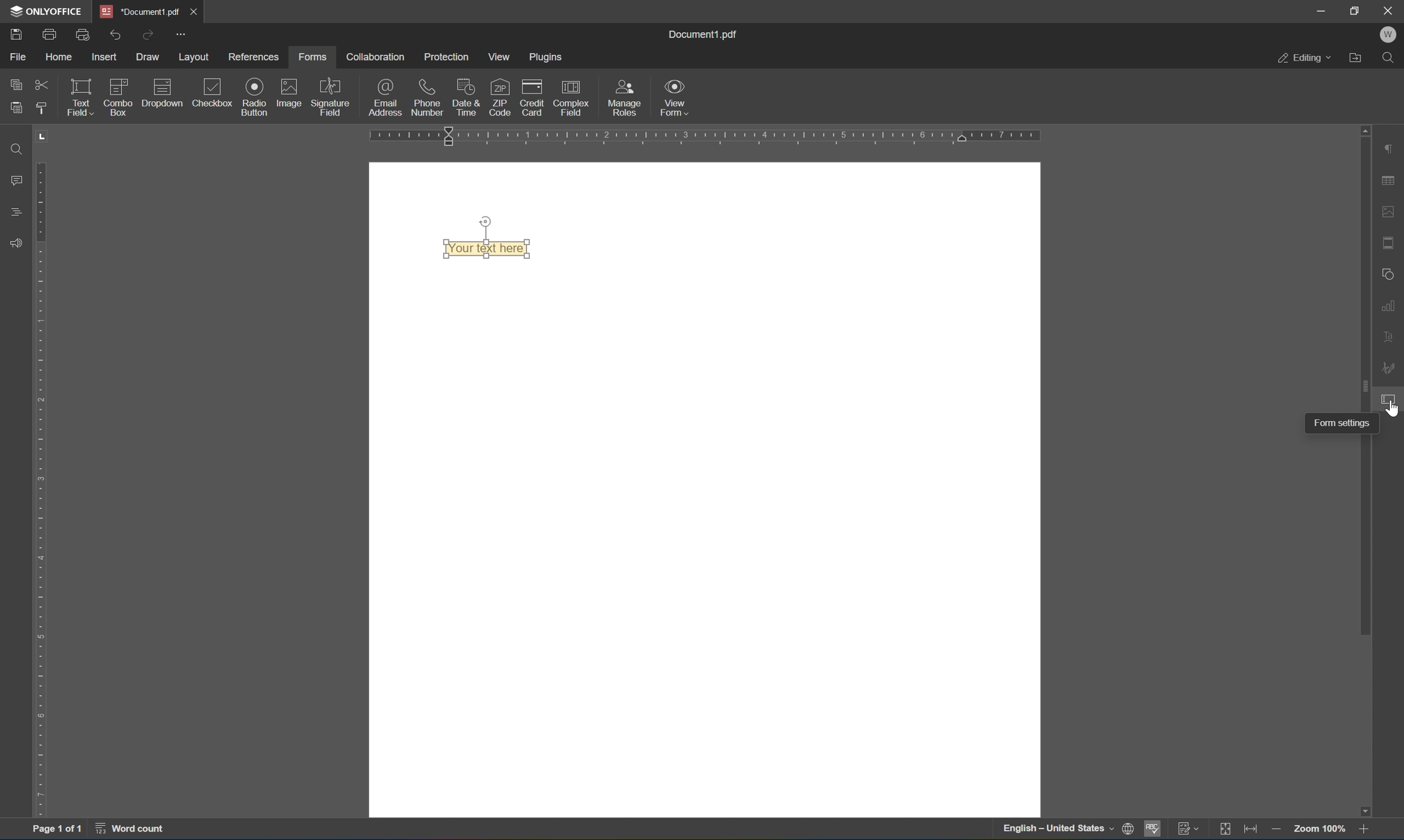 The width and height of the screenshot is (1404, 840). Describe the element at coordinates (1392, 275) in the screenshot. I see `shape settings` at that location.